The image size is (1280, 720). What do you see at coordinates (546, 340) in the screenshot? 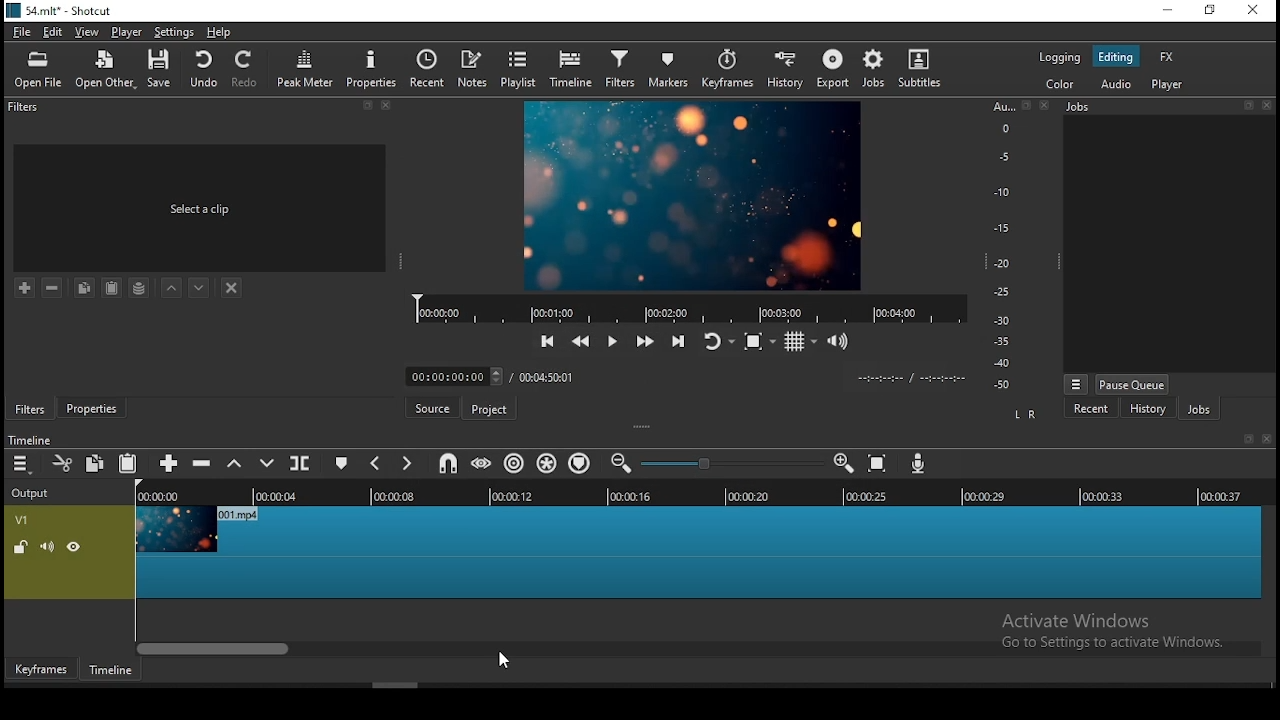
I see `play backwards quickly` at bounding box center [546, 340].